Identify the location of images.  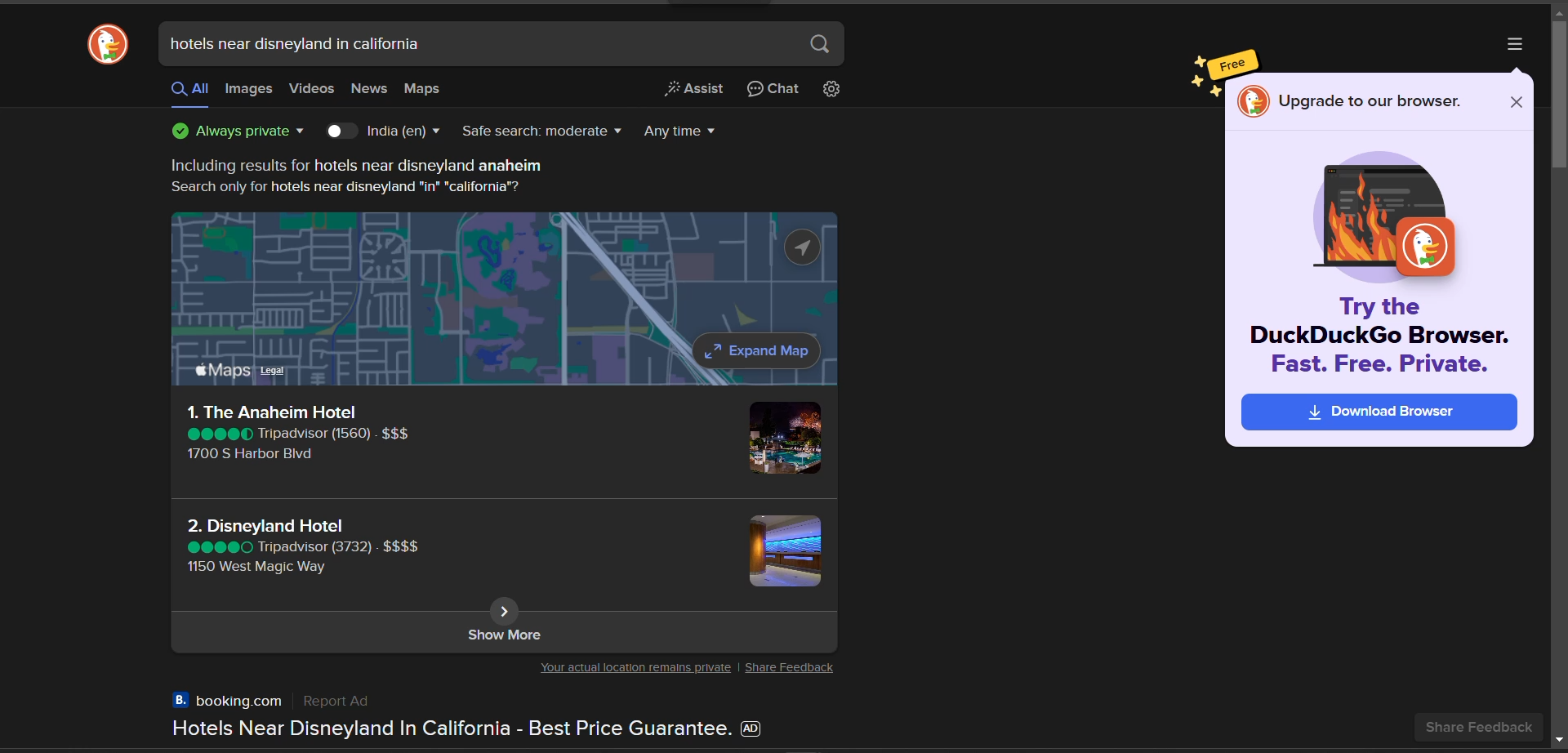
(248, 91).